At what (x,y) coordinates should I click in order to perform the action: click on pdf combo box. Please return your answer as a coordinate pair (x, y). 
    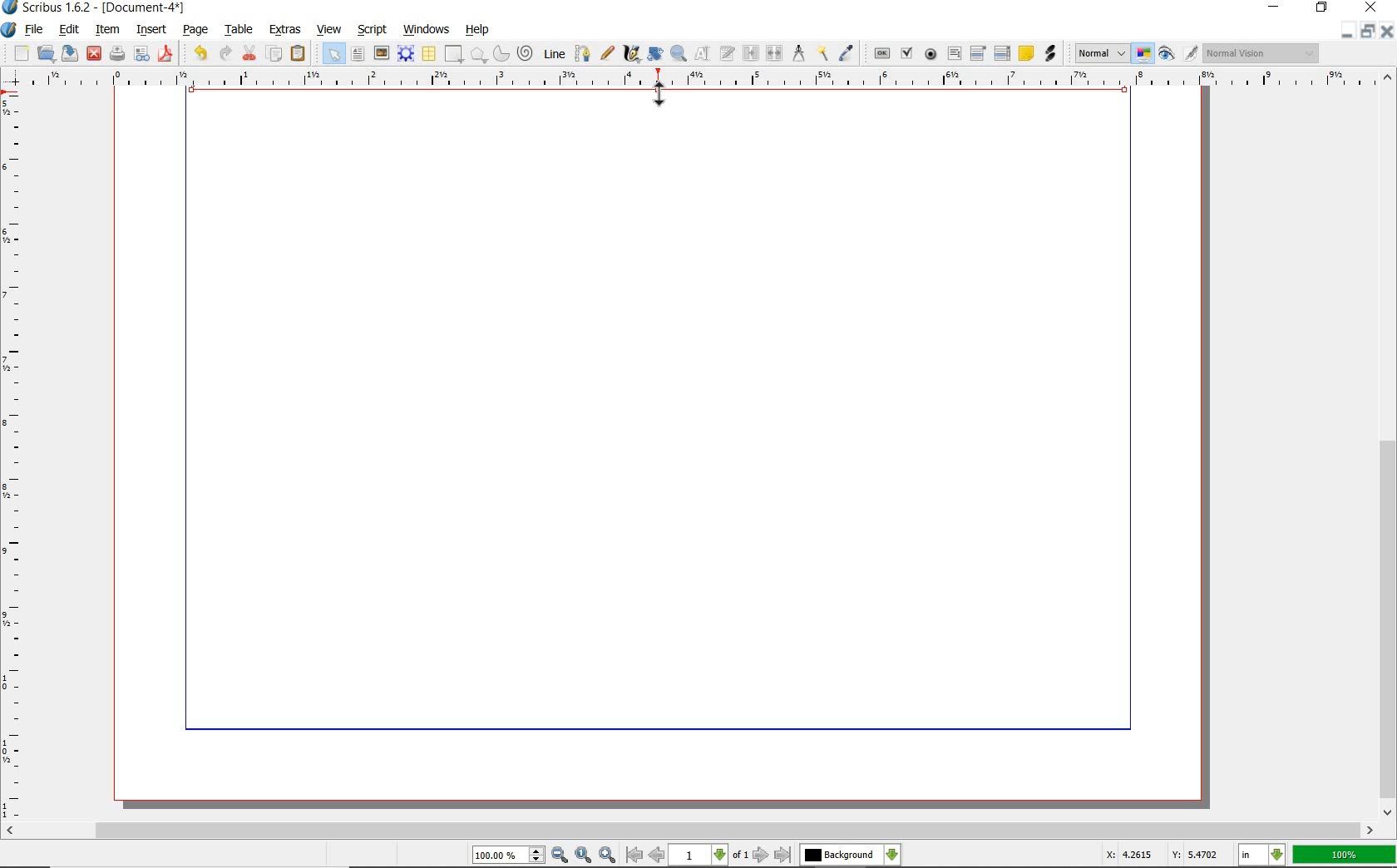
    Looking at the image, I should click on (977, 52).